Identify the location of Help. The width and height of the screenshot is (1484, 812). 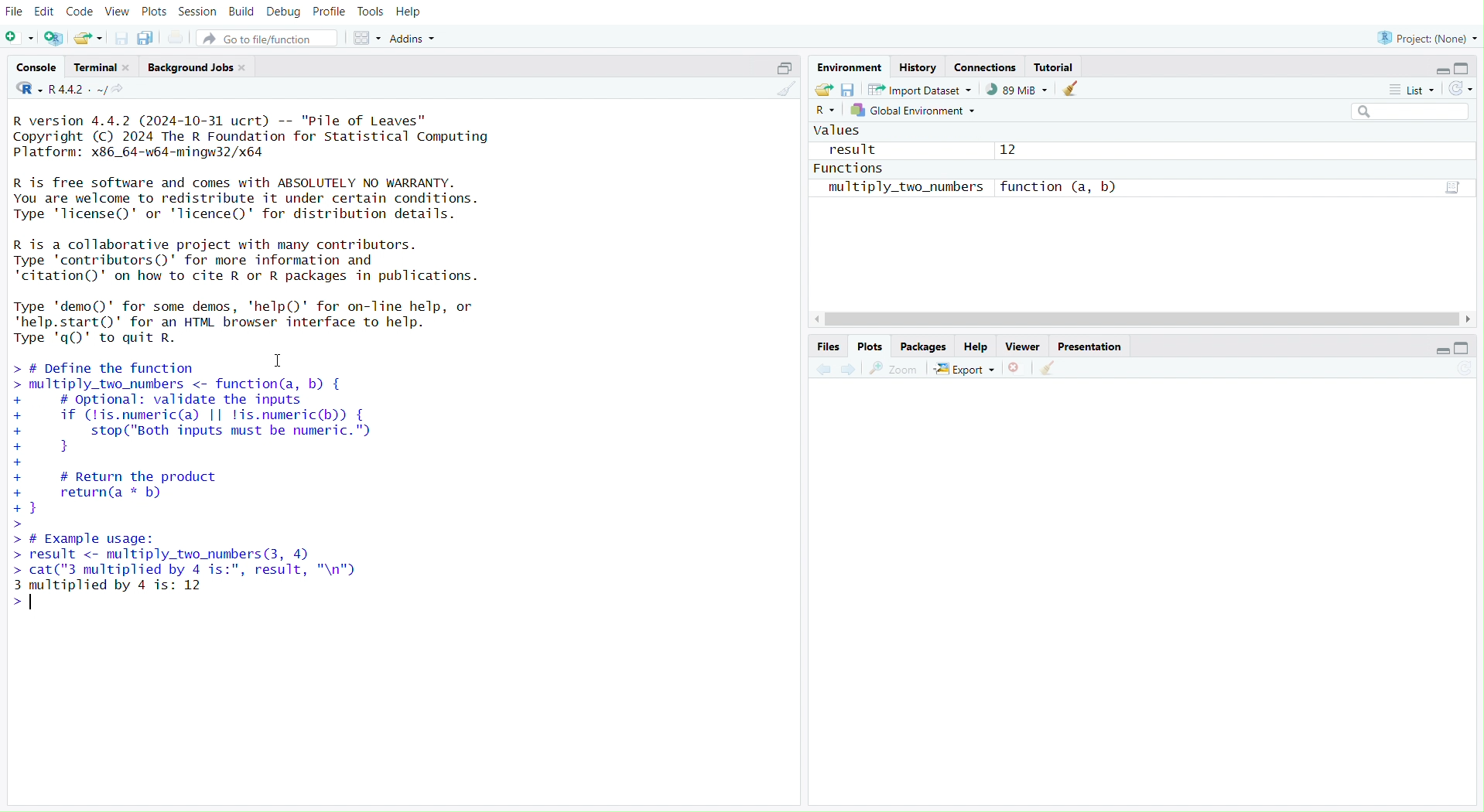
(414, 12).